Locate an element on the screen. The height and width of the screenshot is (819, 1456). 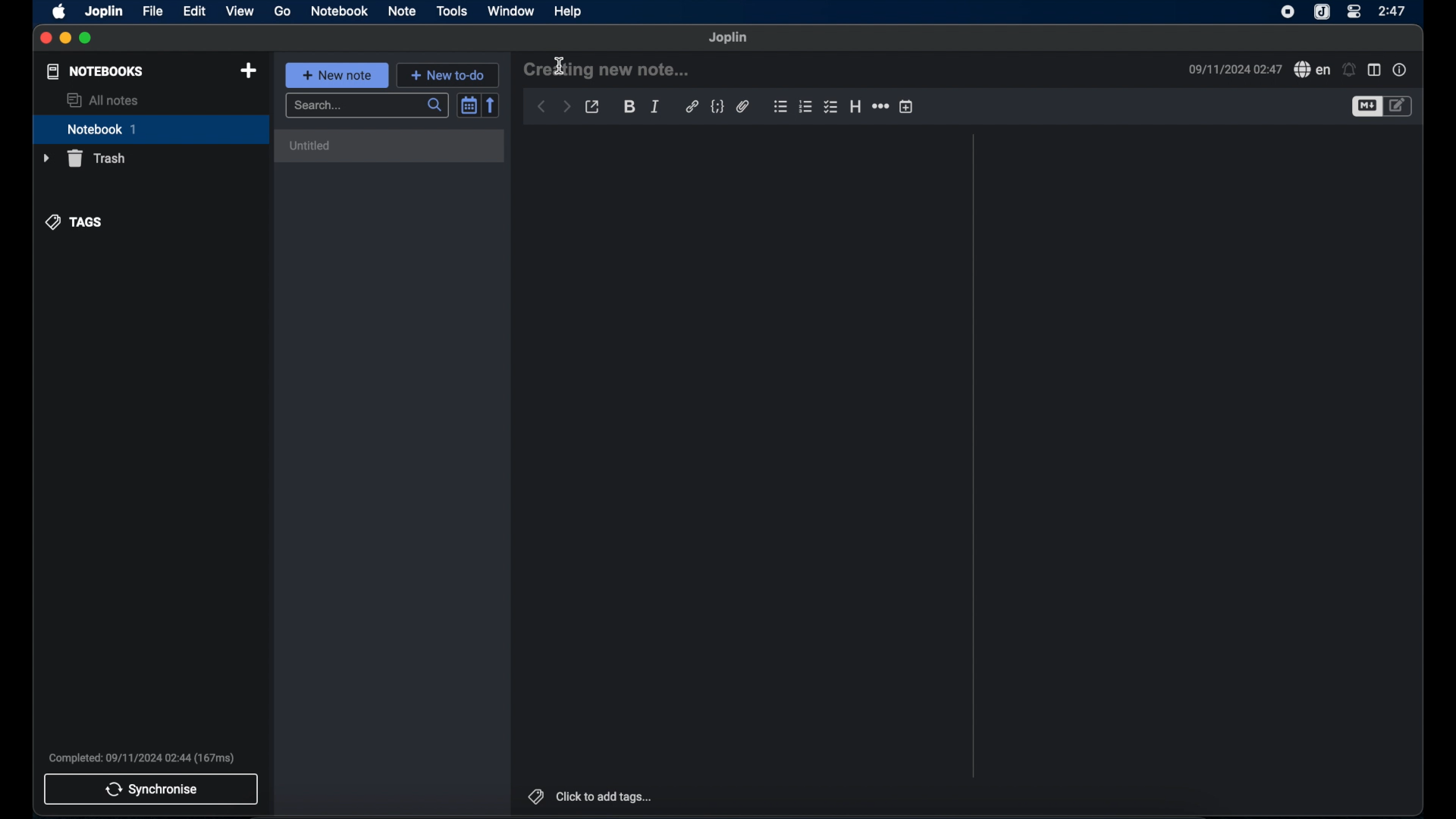
screen recorder icon is located at coordinates (1288, 11).